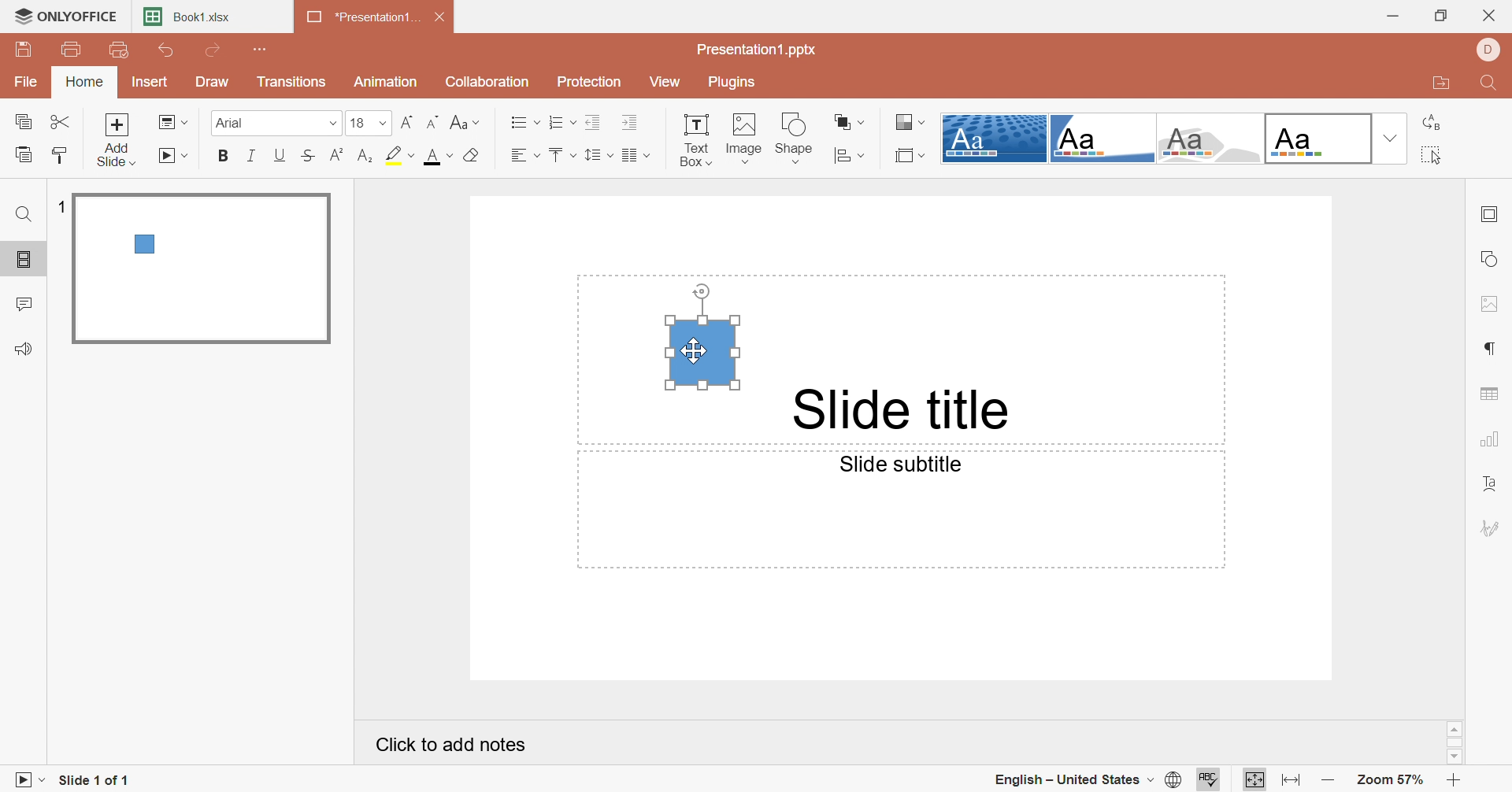  Describe the element at coordinates (913, 121) in the screenshot. I see `Change color theme` at that location.